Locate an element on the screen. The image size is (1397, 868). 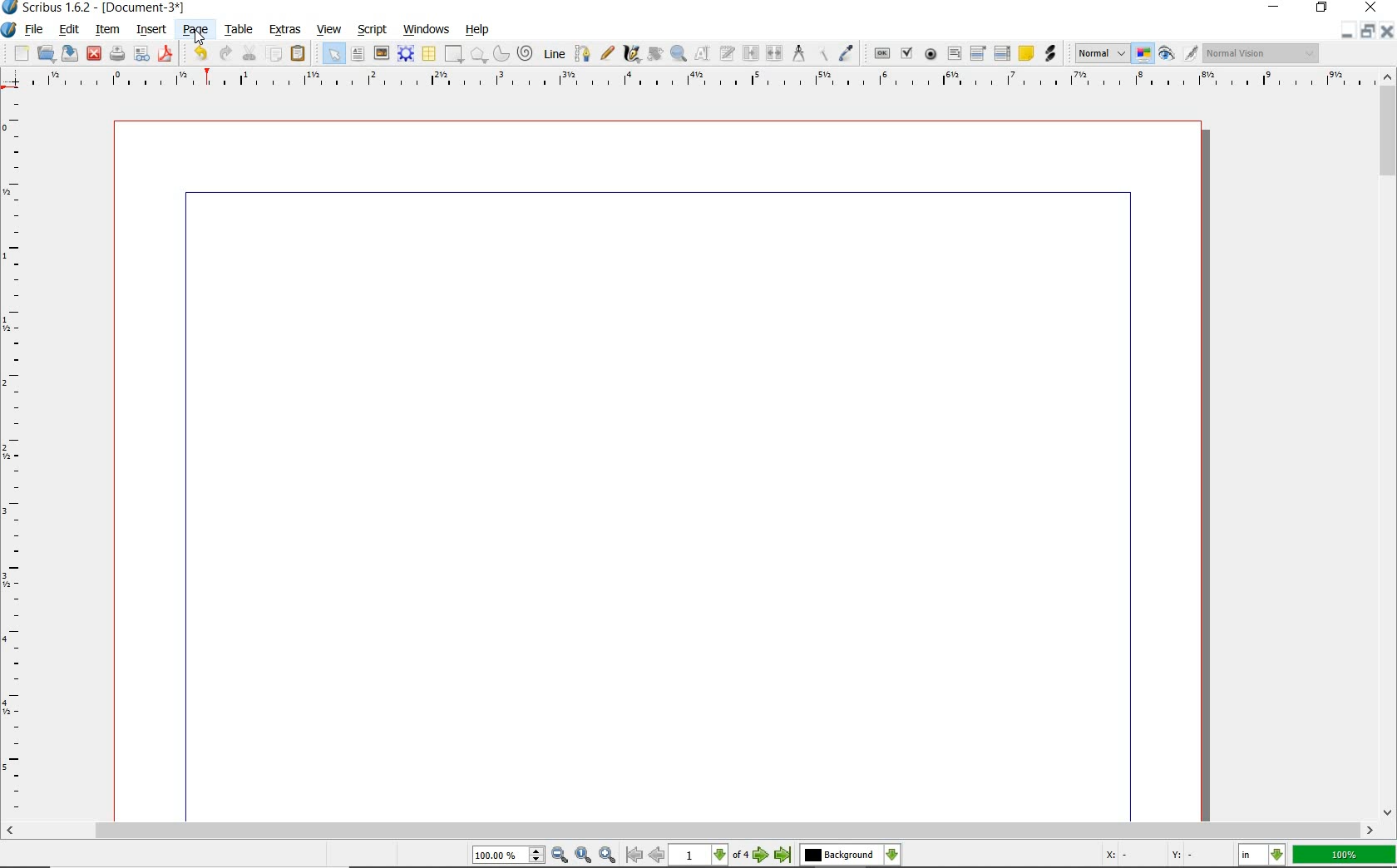
render frame is located at coordinates (405, 54).